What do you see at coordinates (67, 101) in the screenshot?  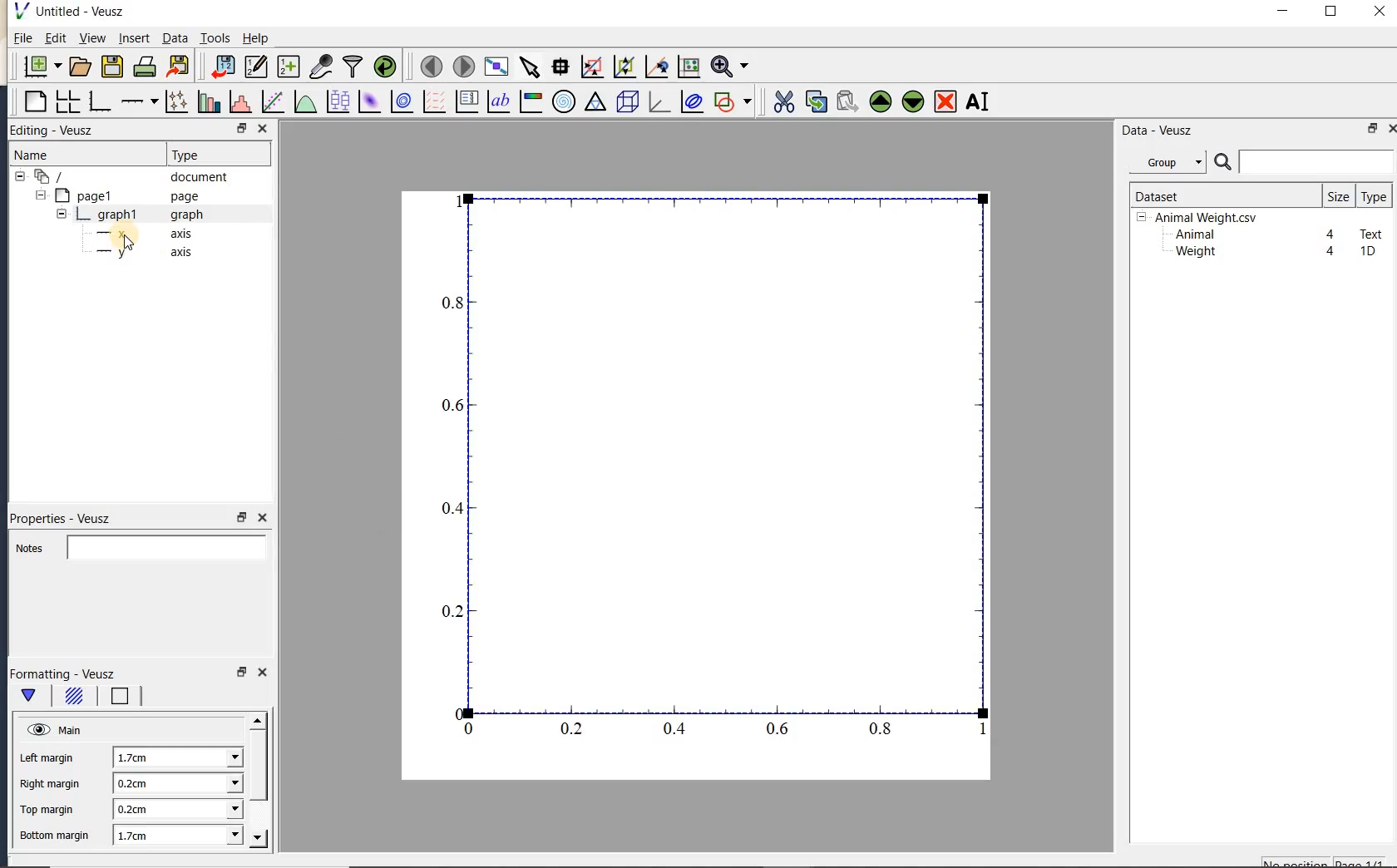 I see `arrange graphs in a grid` at bounding box center [67, 101].